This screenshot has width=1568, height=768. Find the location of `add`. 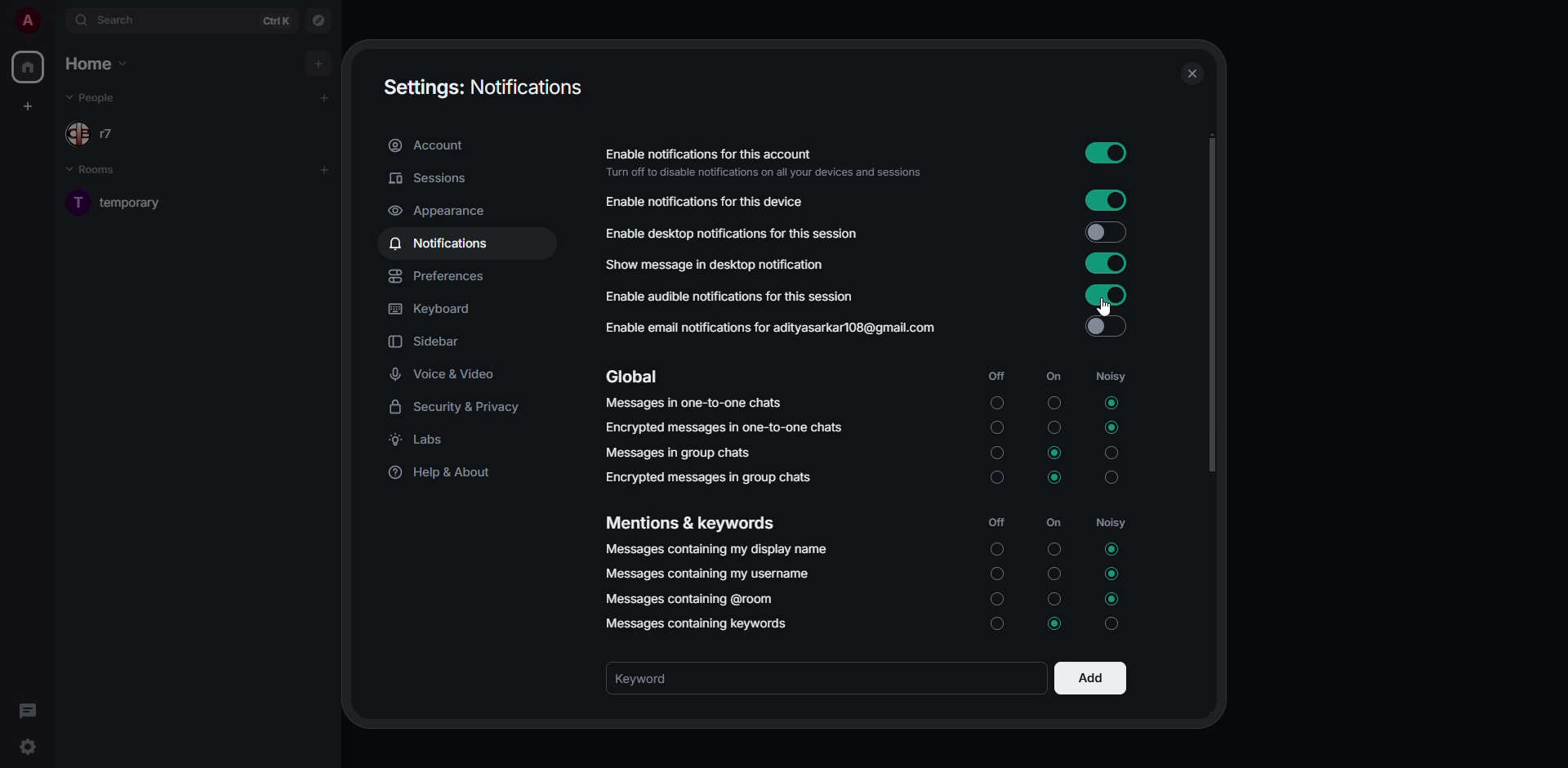

add is located at coordinates (1089, 679).